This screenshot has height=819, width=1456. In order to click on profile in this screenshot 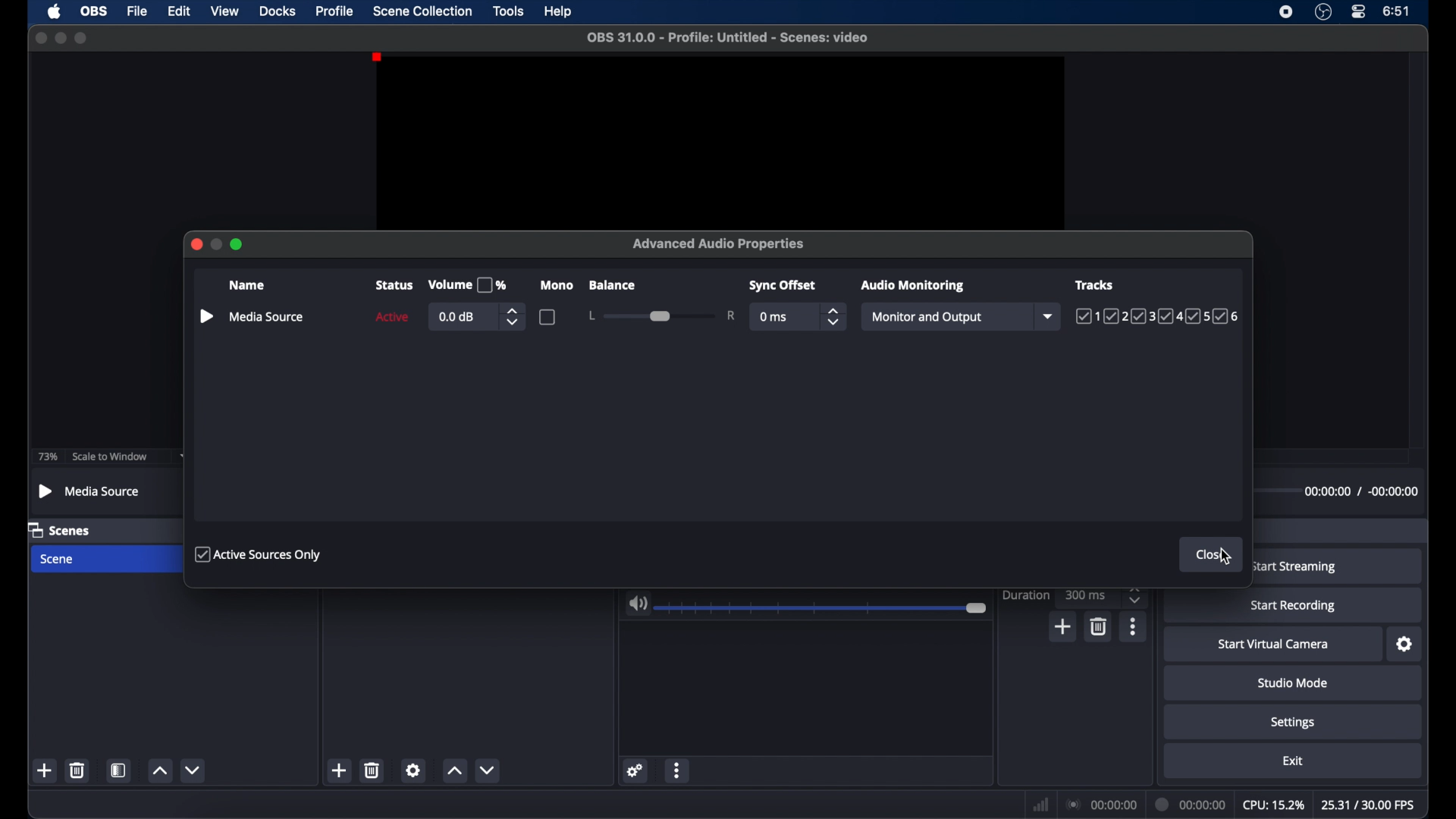, I will do `click(335, 11)`.